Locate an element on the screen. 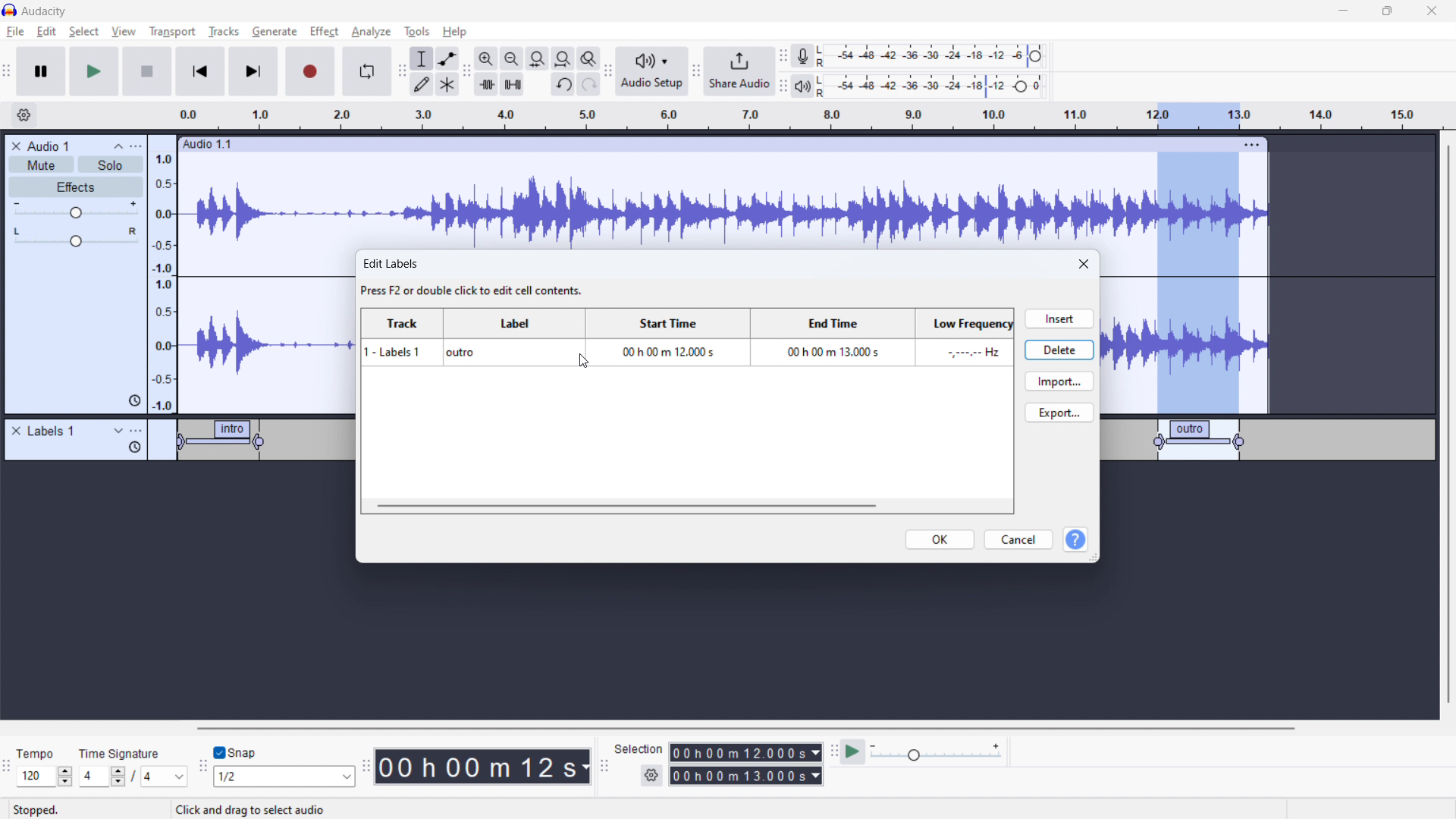 The image size is (1456, 819). toggle snap is located at coordinates (236, 753).